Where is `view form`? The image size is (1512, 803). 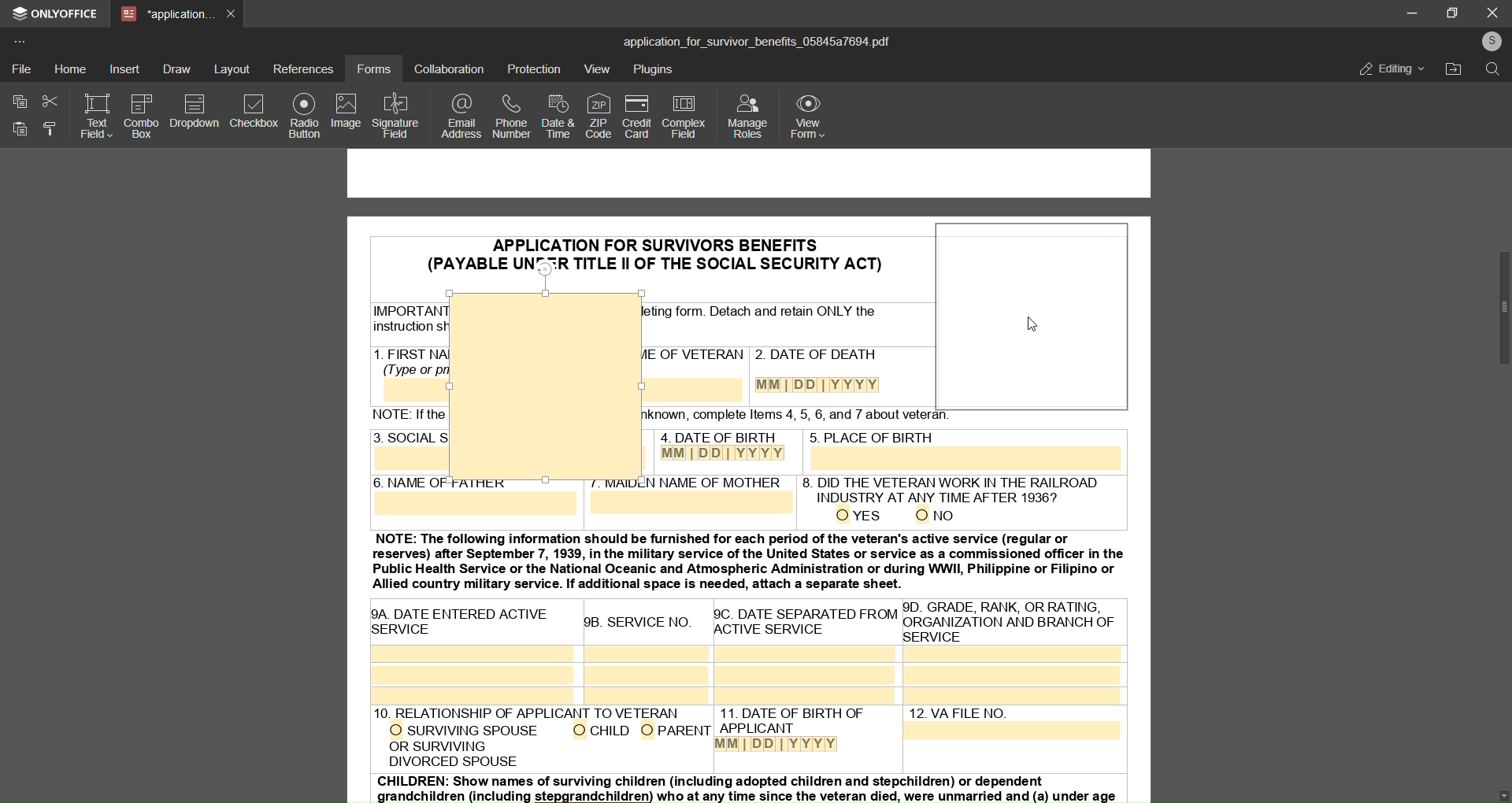 view form is located at coordinates (811, 116).